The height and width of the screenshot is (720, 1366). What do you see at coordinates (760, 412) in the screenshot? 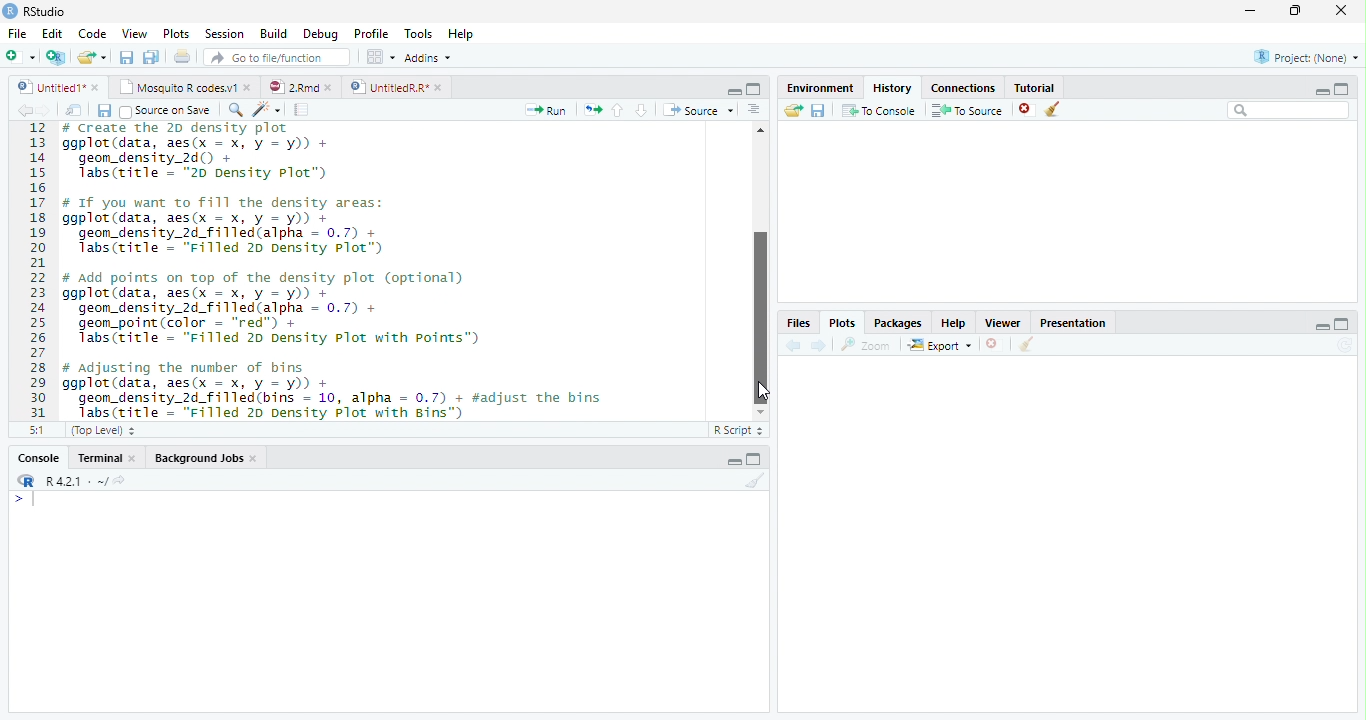
I see `Scrollbar down` at bounding box center [760, 412].